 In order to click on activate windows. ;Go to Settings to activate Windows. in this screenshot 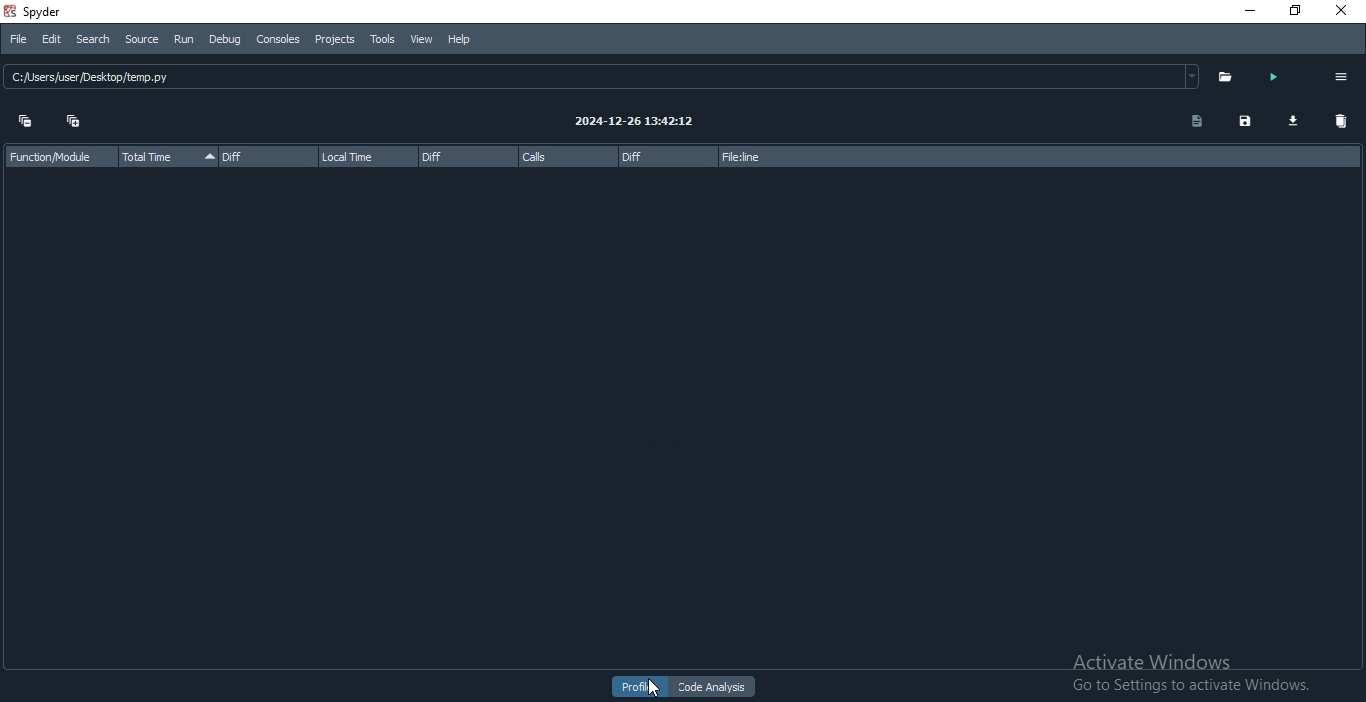, I will do `click(1196, 673)`.